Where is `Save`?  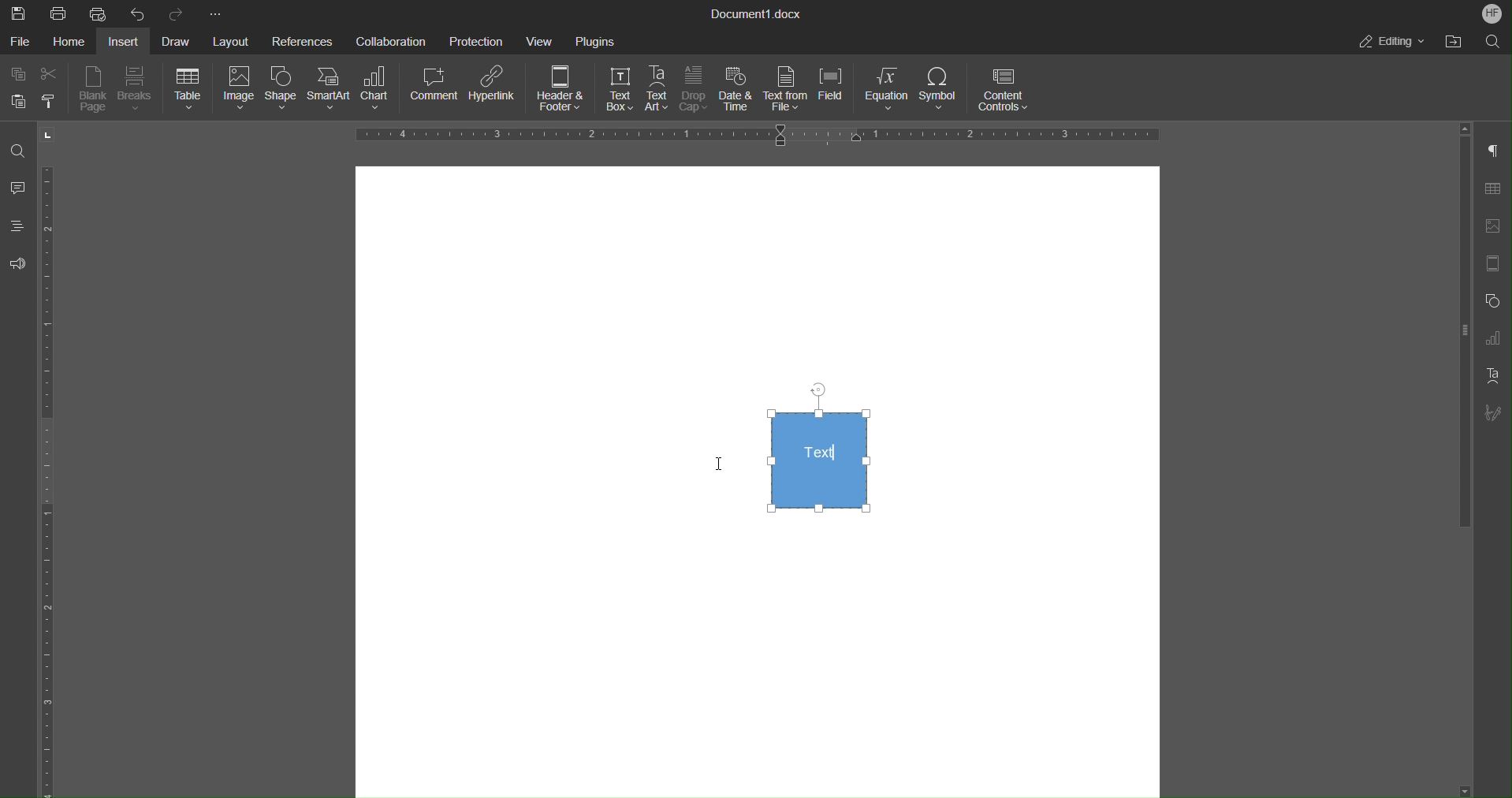 Save is located at coordinates (16, 12).